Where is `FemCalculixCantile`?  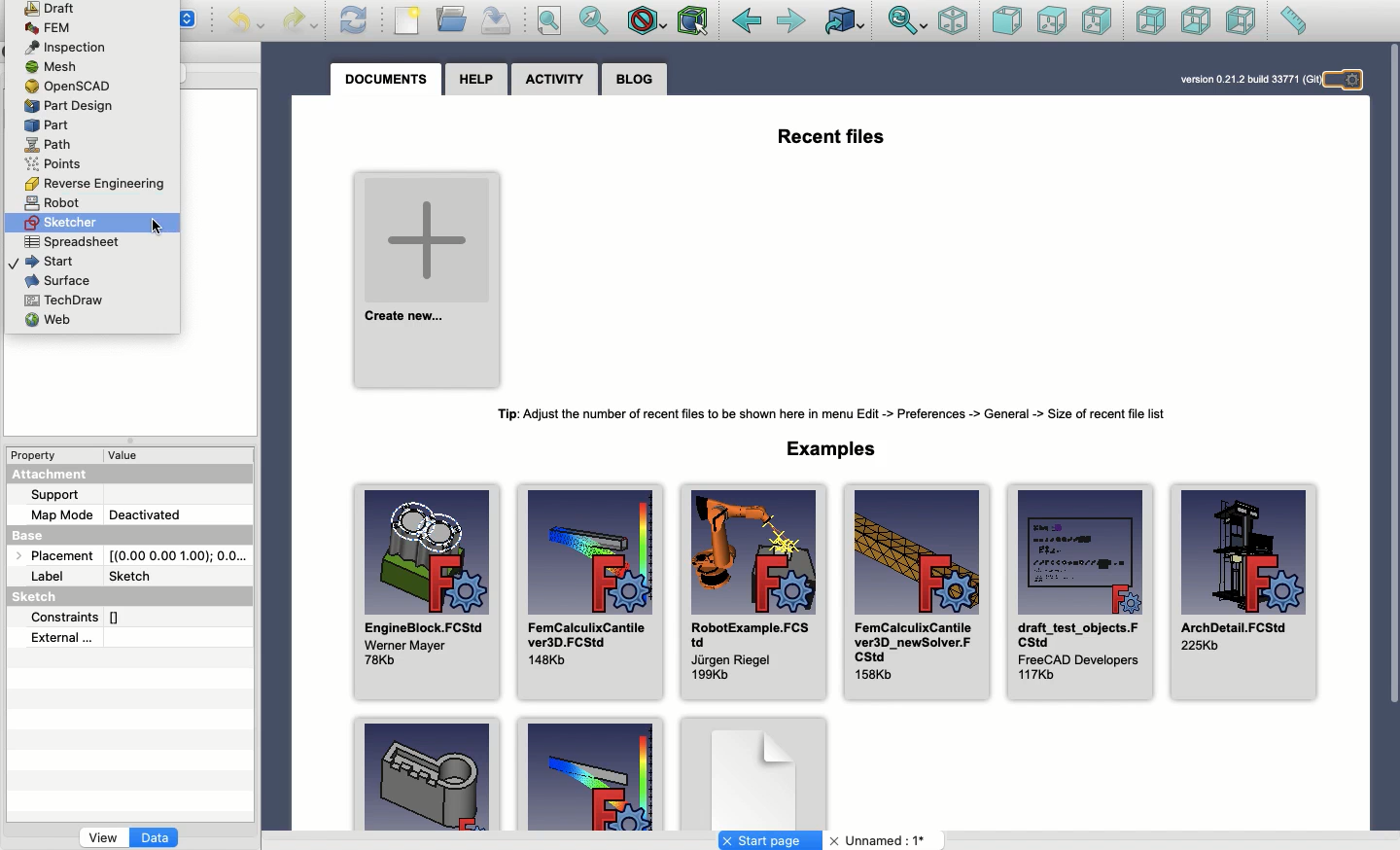
FemCalculixCantile is located at coordinates (591, 593).